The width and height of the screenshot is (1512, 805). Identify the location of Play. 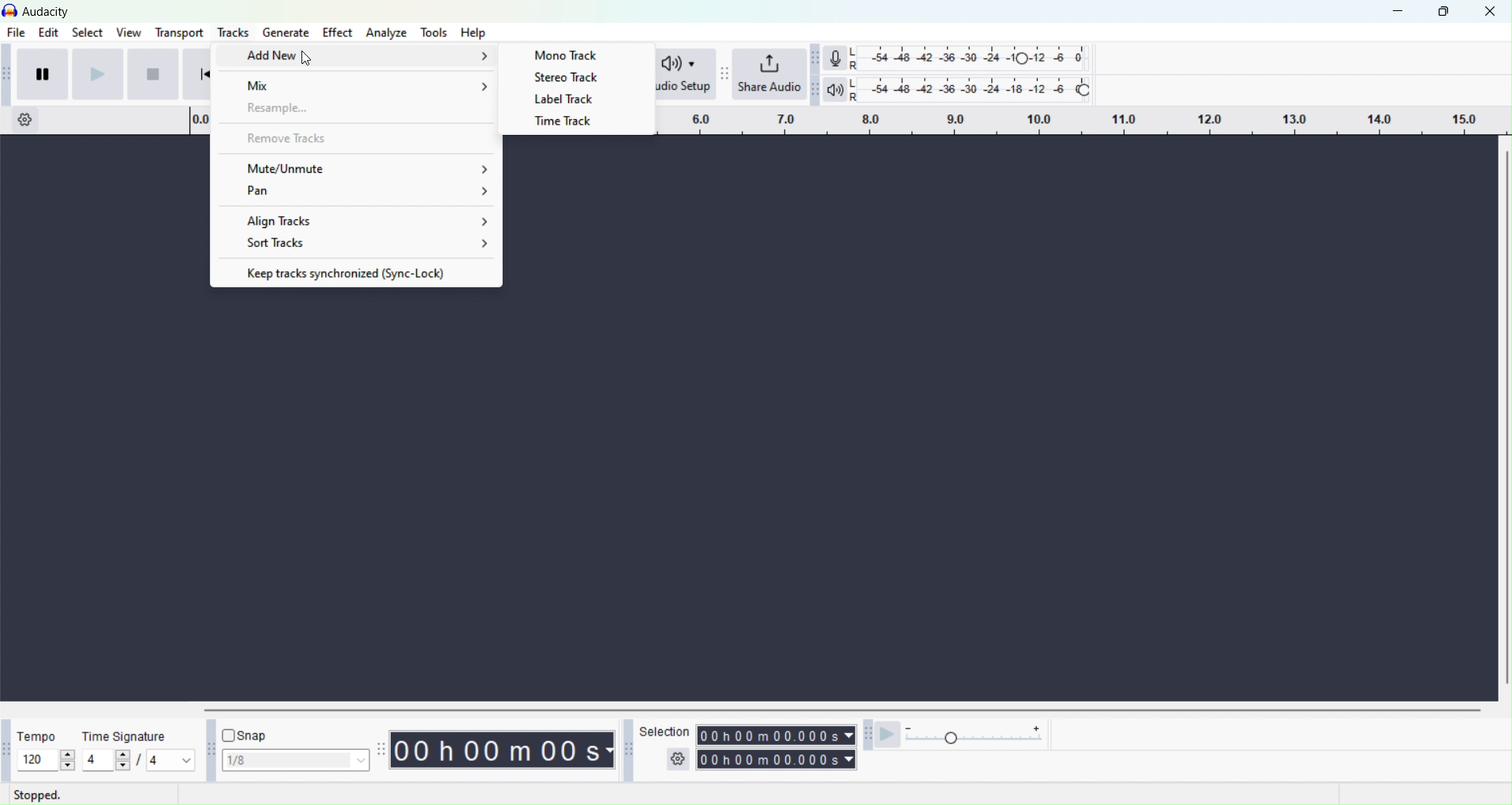
(98, 73).